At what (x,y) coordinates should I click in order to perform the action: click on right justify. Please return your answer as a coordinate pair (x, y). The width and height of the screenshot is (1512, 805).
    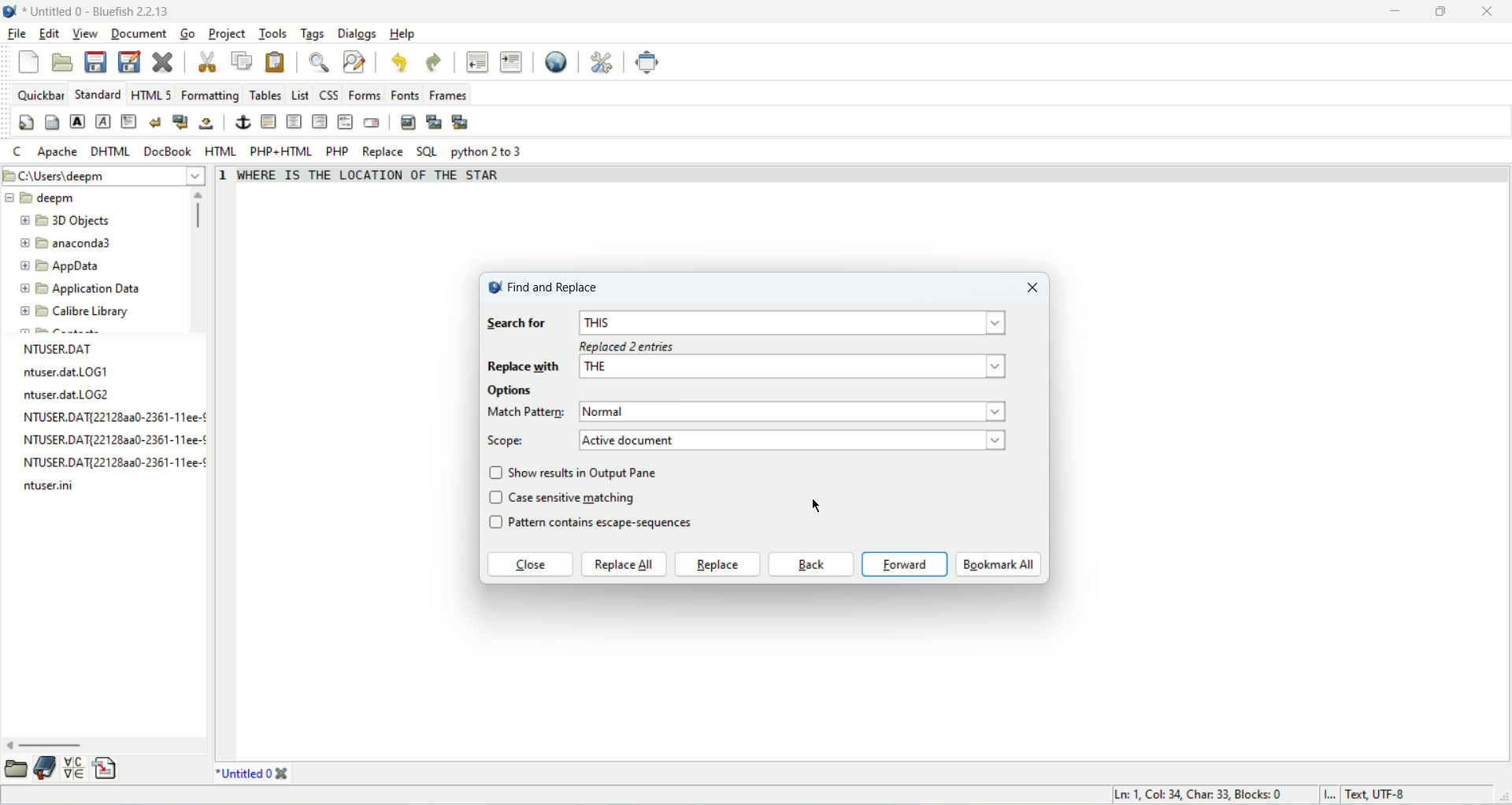
    Looking at the image, I should click on (319, 121).